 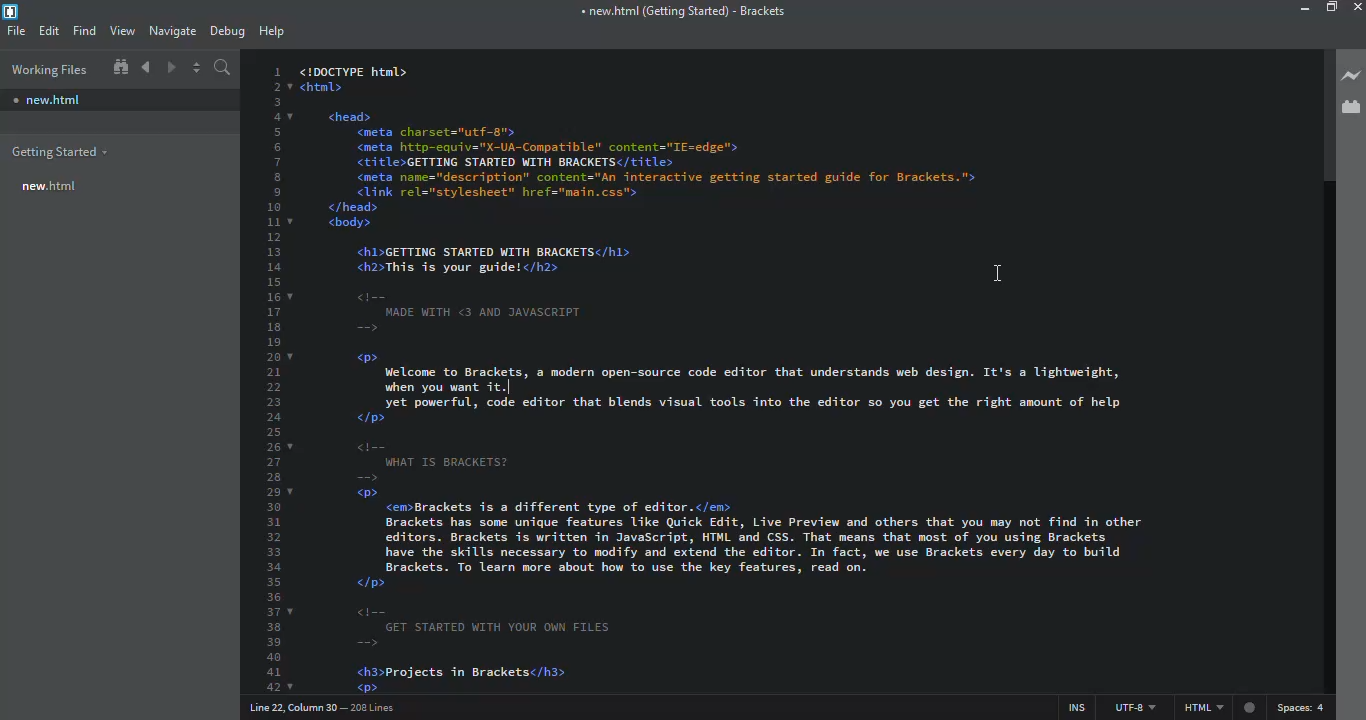 I want to click on navigate forward, so click(x=172, y=68).